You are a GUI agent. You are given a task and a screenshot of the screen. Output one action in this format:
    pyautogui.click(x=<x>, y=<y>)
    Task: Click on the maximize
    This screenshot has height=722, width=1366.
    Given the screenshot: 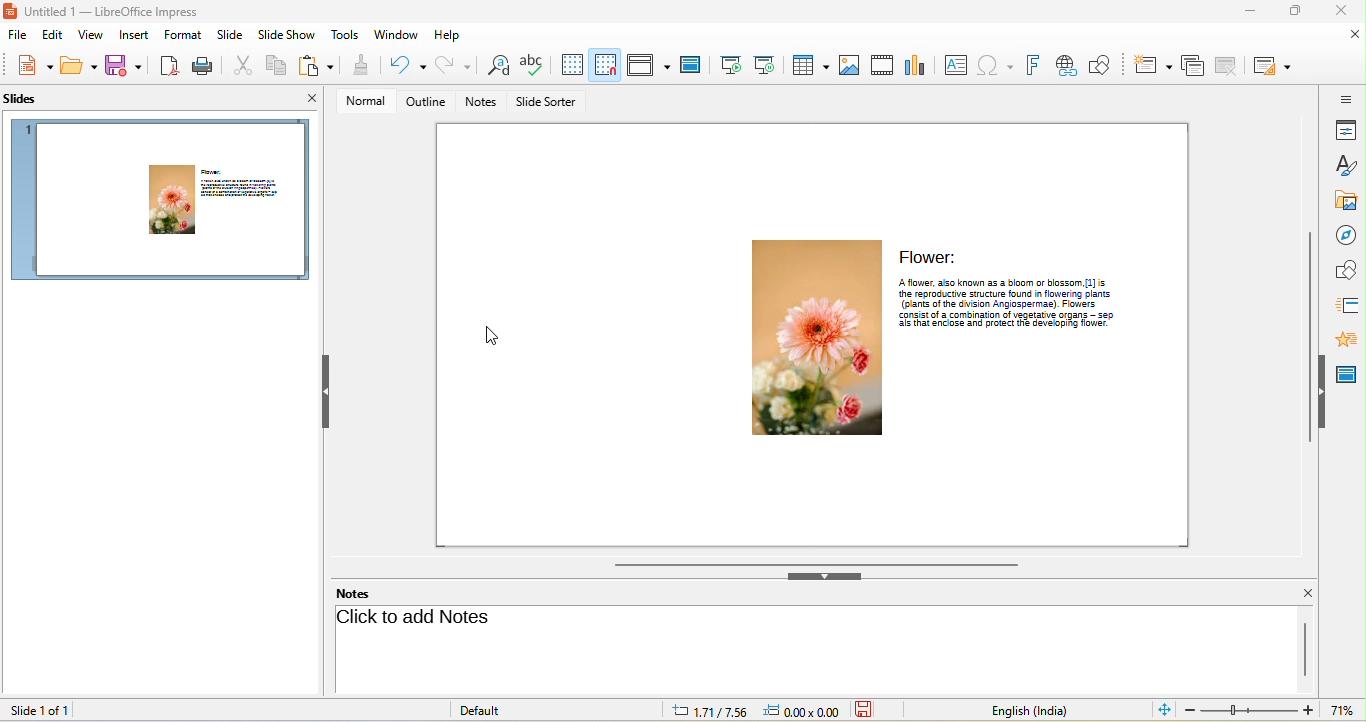 What is the action you would take?
    pyautogui.click(x=1293, y=12)
    